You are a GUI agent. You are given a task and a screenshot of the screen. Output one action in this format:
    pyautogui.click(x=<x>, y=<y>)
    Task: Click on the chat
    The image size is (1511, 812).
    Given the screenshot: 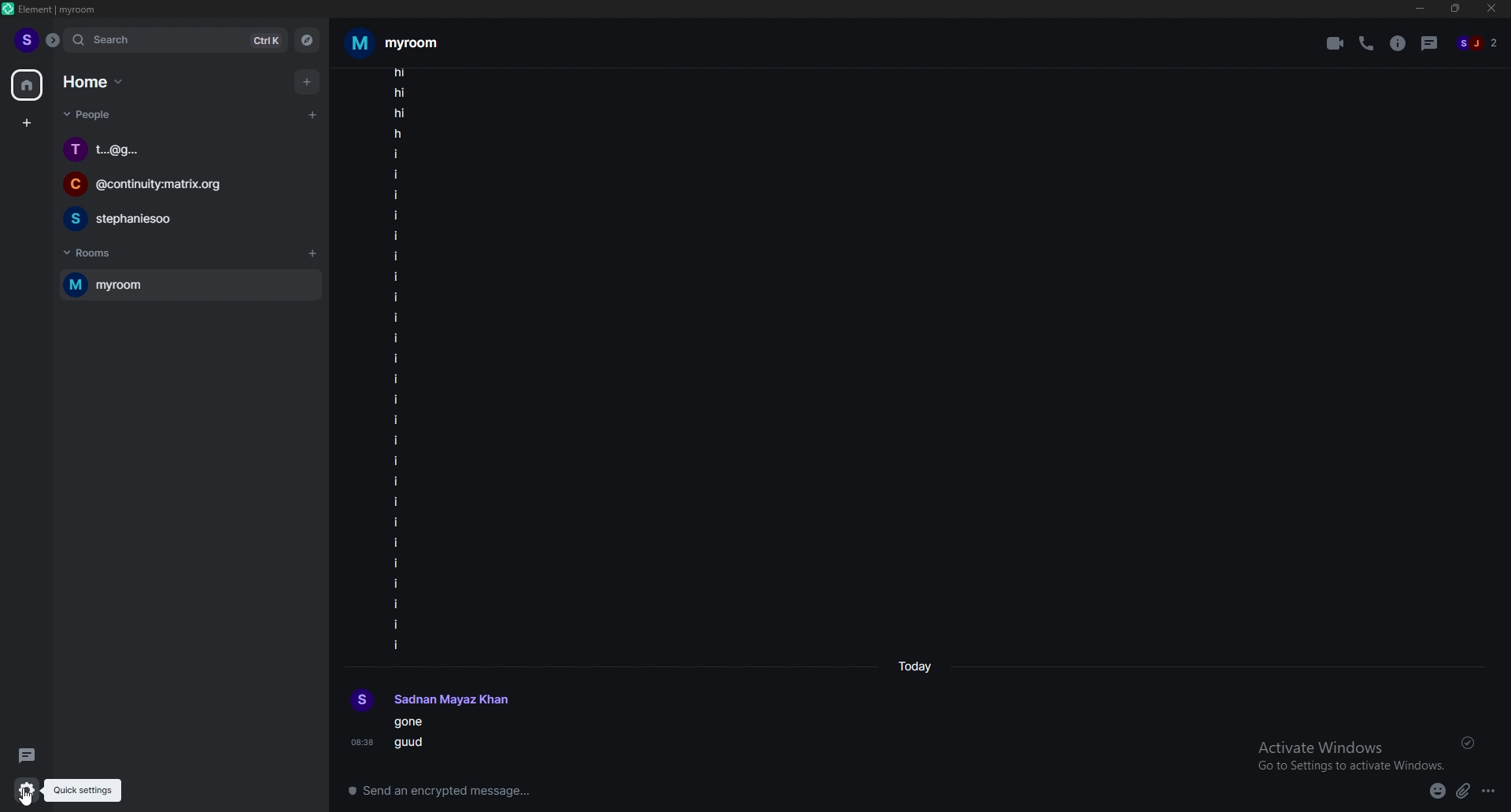 What is the action you would take?
    pyautogui.click(x=174, y=183)
    